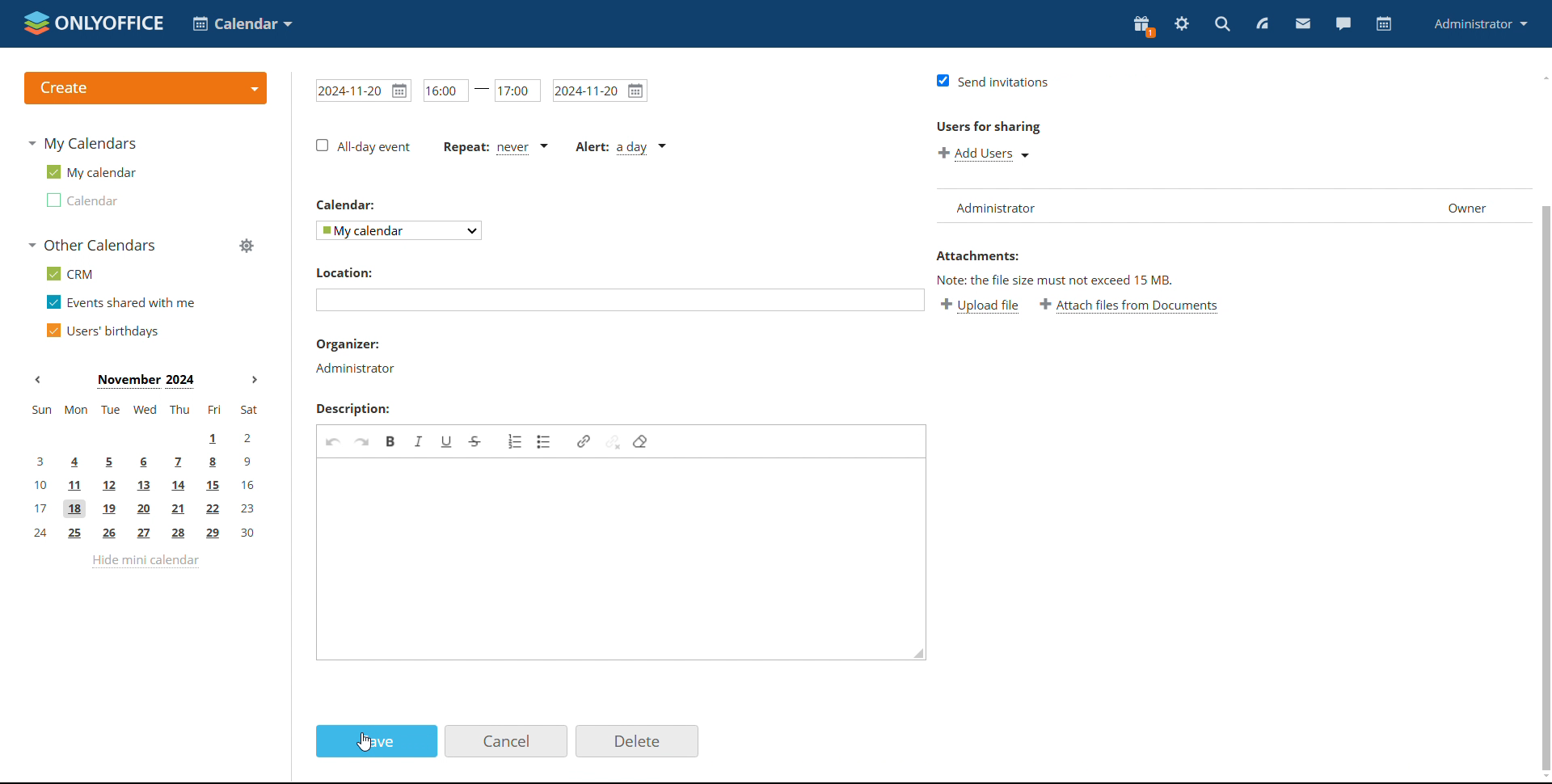  Describe the element at coordinates (353, 408) in the screenshot. I see `Description` at that location.